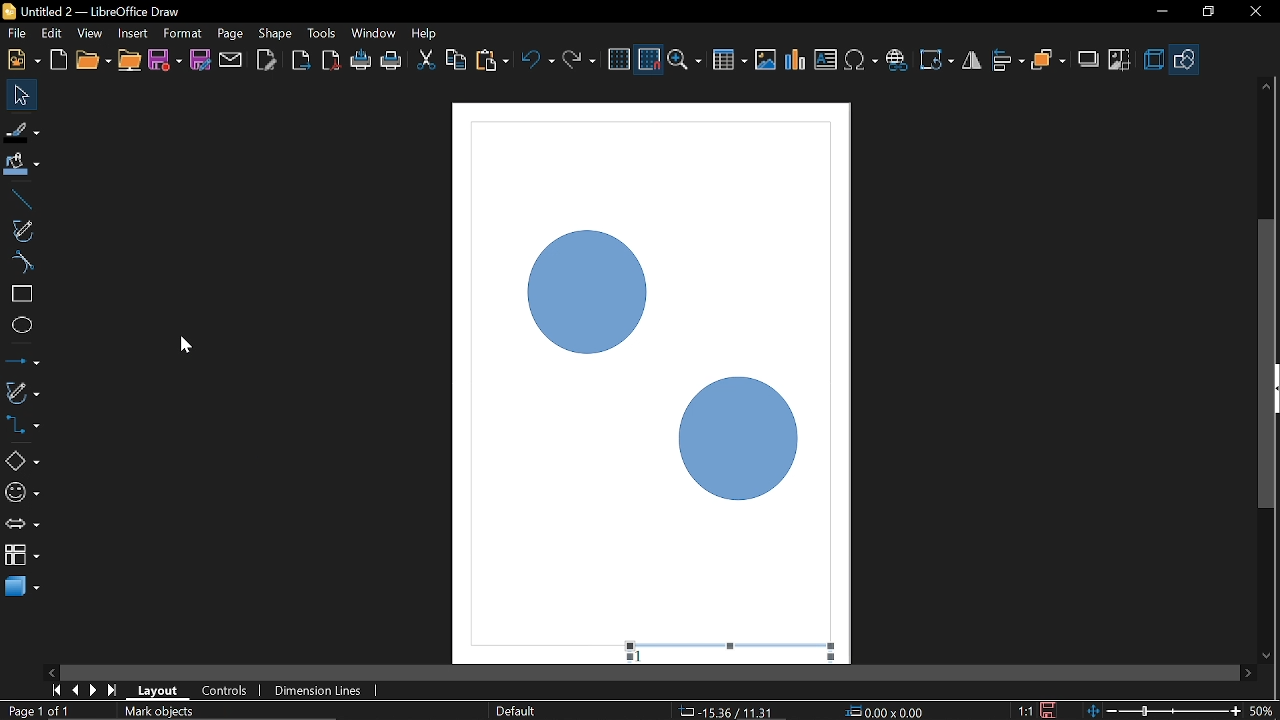 This screenshot has width=1280, height=720. What do you see at coordinates (1272, 389) in the screenshot?
I see `Sidebar` at bounding box center [1272, 389].